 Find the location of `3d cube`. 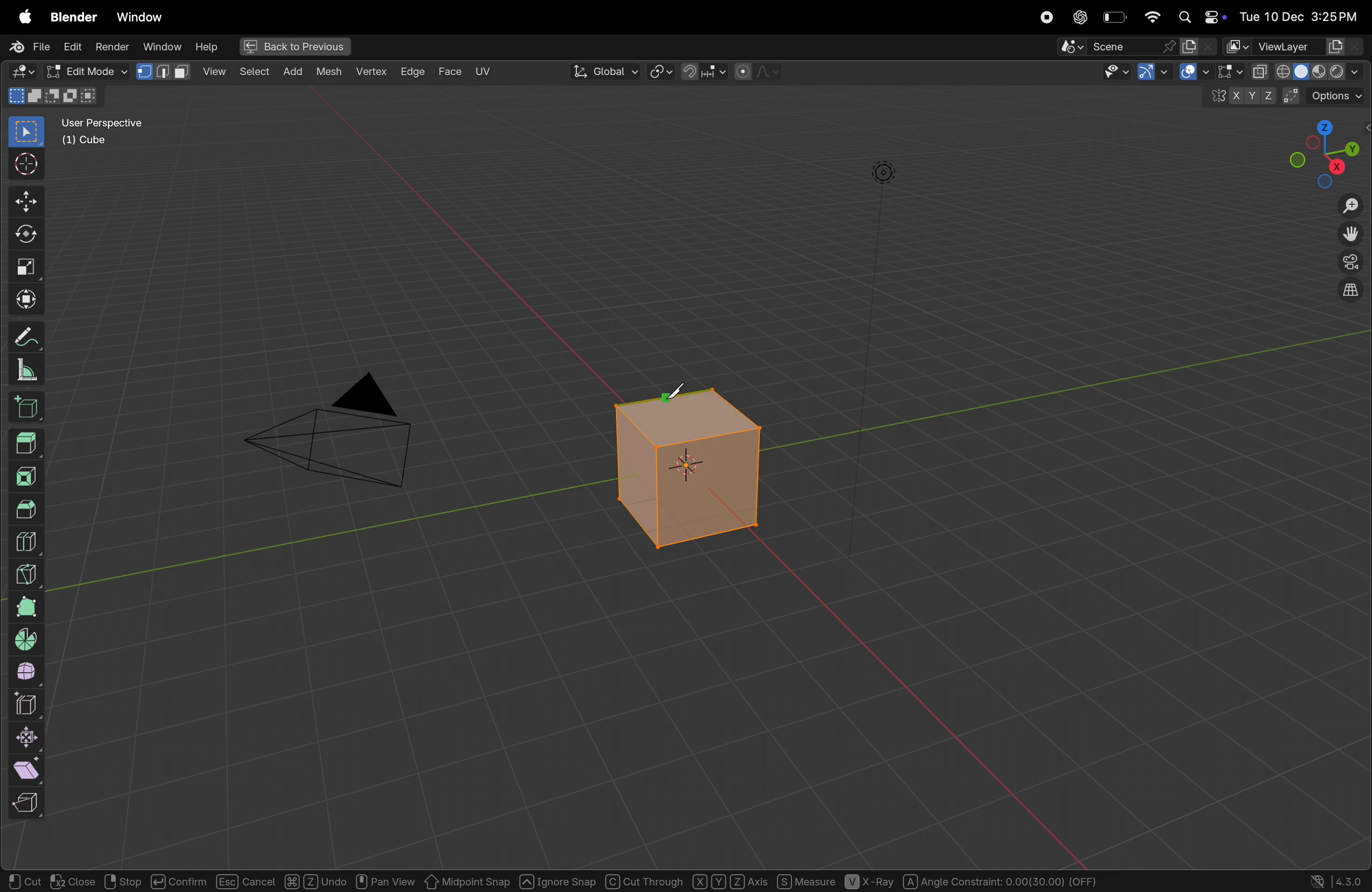

3d cube is located at coordinates (29, 410).